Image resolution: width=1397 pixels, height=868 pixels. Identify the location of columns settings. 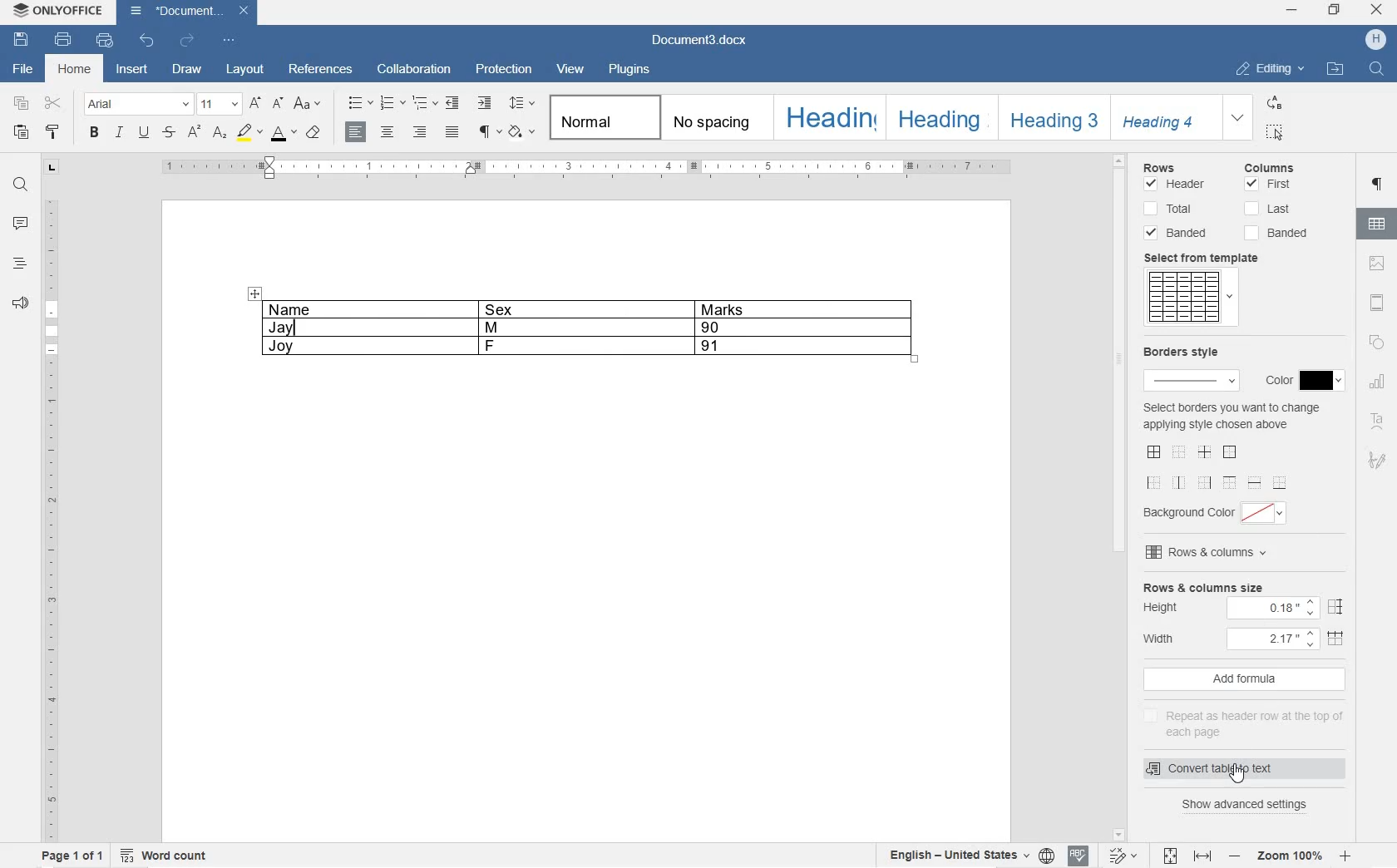
(1281, 167).